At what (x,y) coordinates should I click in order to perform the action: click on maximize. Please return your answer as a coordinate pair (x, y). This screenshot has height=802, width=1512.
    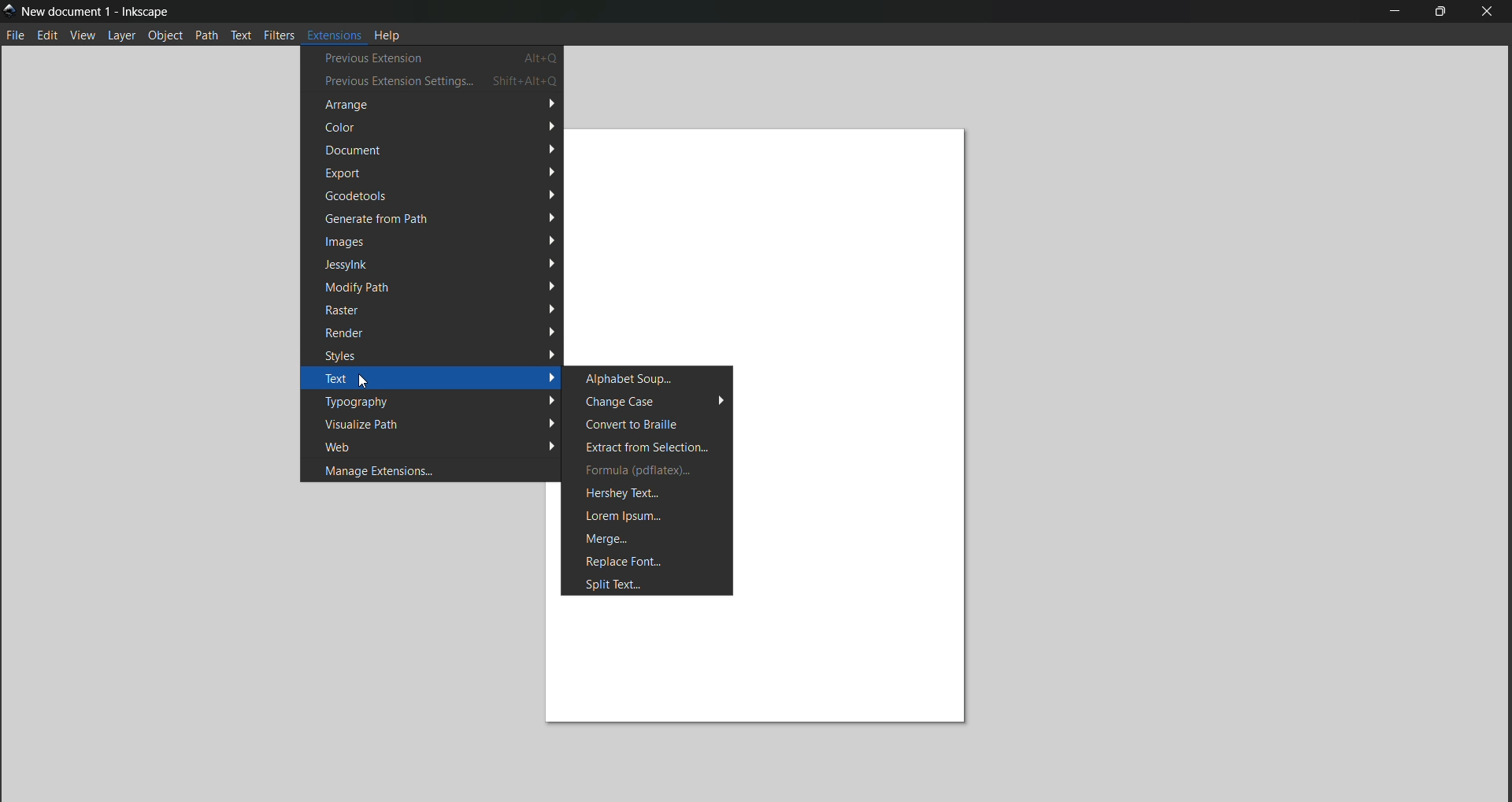
    Looking at the image, I should click on (1440, 13).